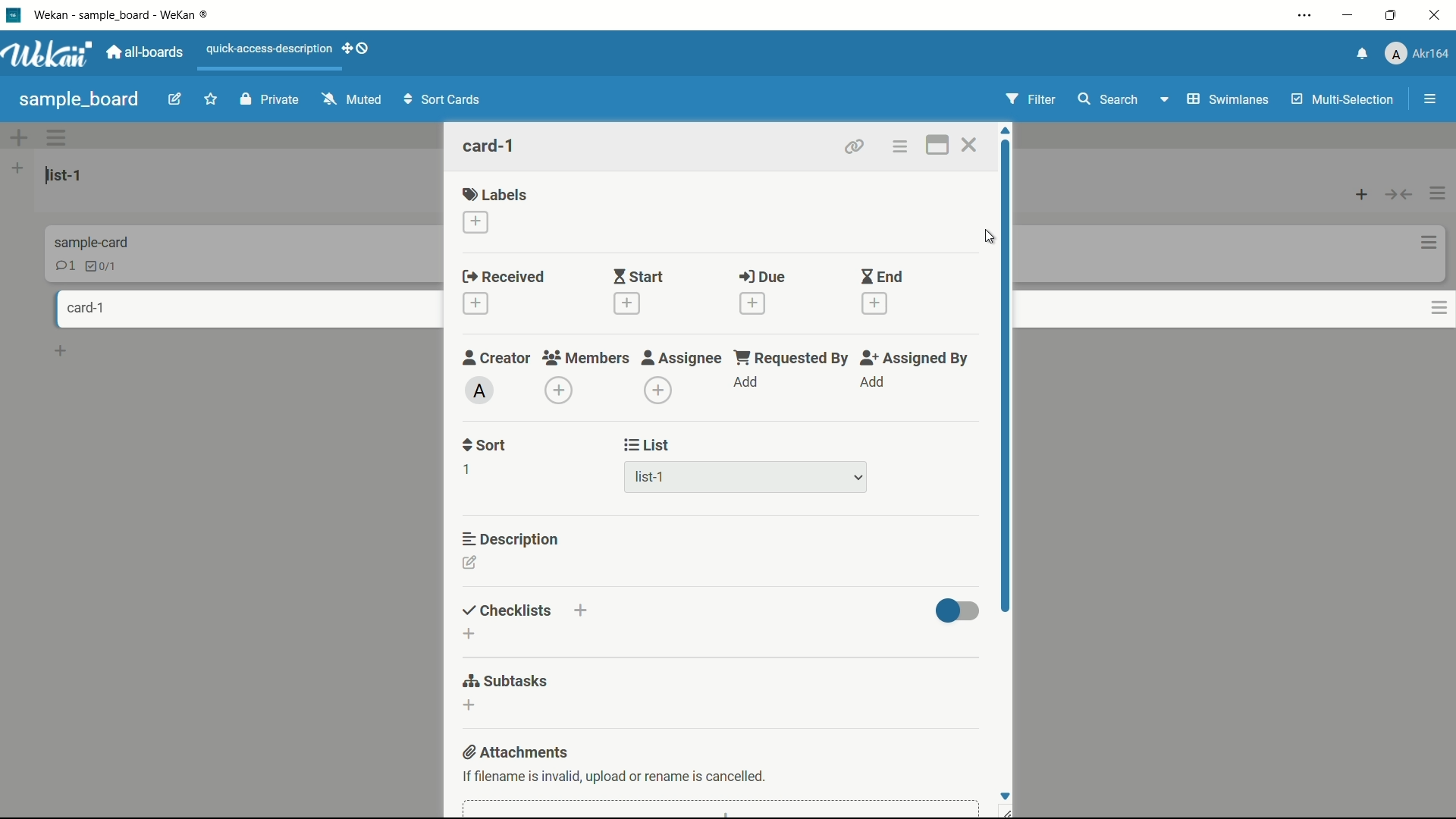 This screenshot has height=819, width=1456. What do you see at coordinates (497, 355) in the screenshot?
I see `creator` at bounding box center [497, 355].